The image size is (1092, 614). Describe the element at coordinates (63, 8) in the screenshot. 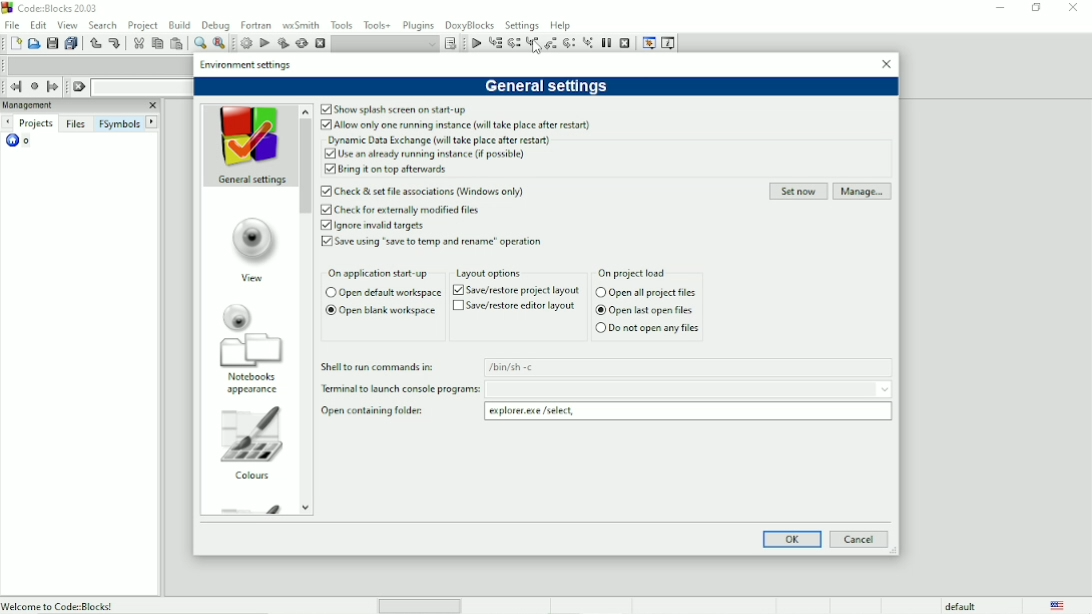

I see `Title` at that location.